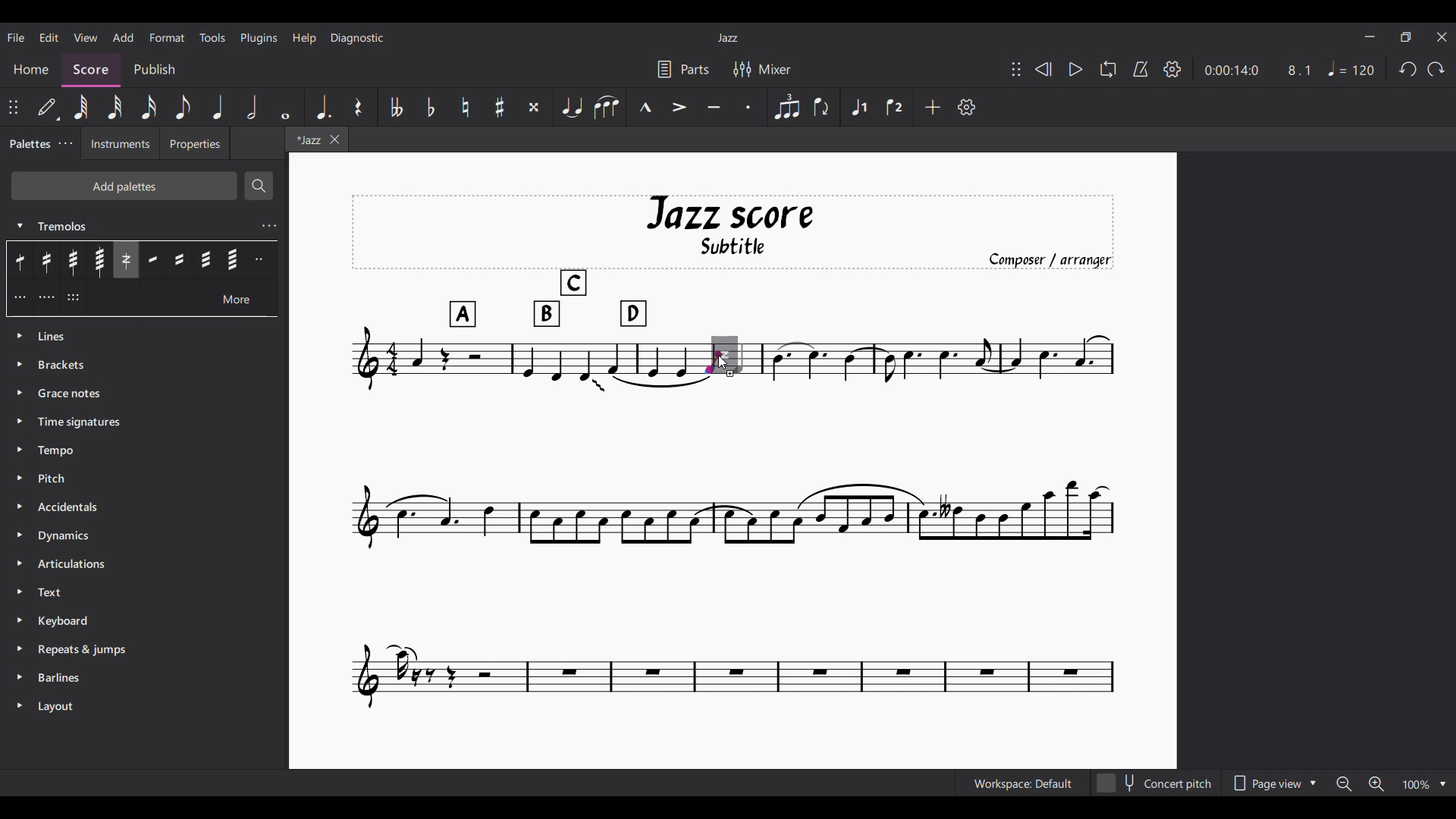 The image size is (1456, 819). I want to click on Flip direction, so click(824, 108).